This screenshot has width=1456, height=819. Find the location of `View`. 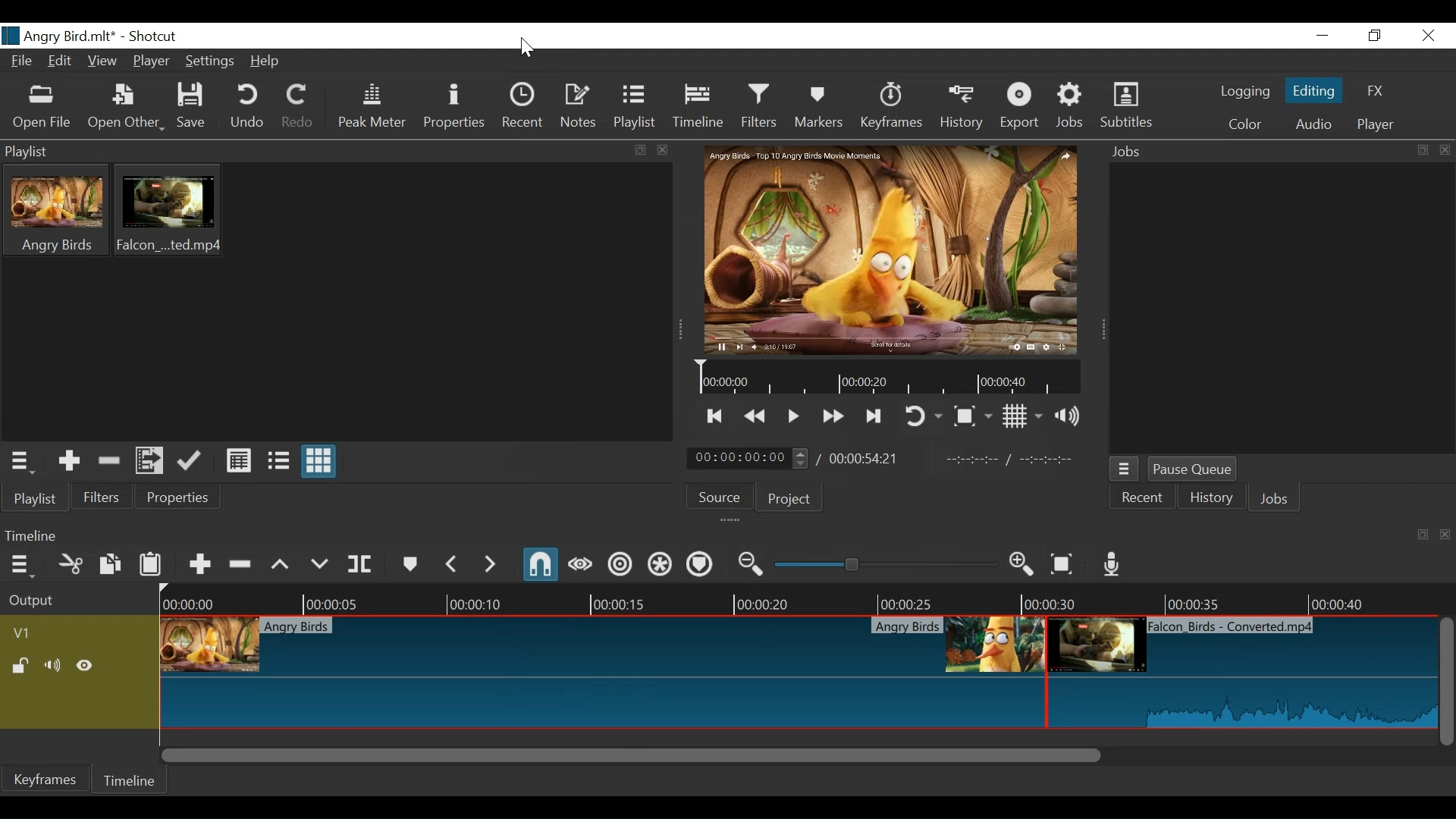

View is located at coordinates (103, 61).